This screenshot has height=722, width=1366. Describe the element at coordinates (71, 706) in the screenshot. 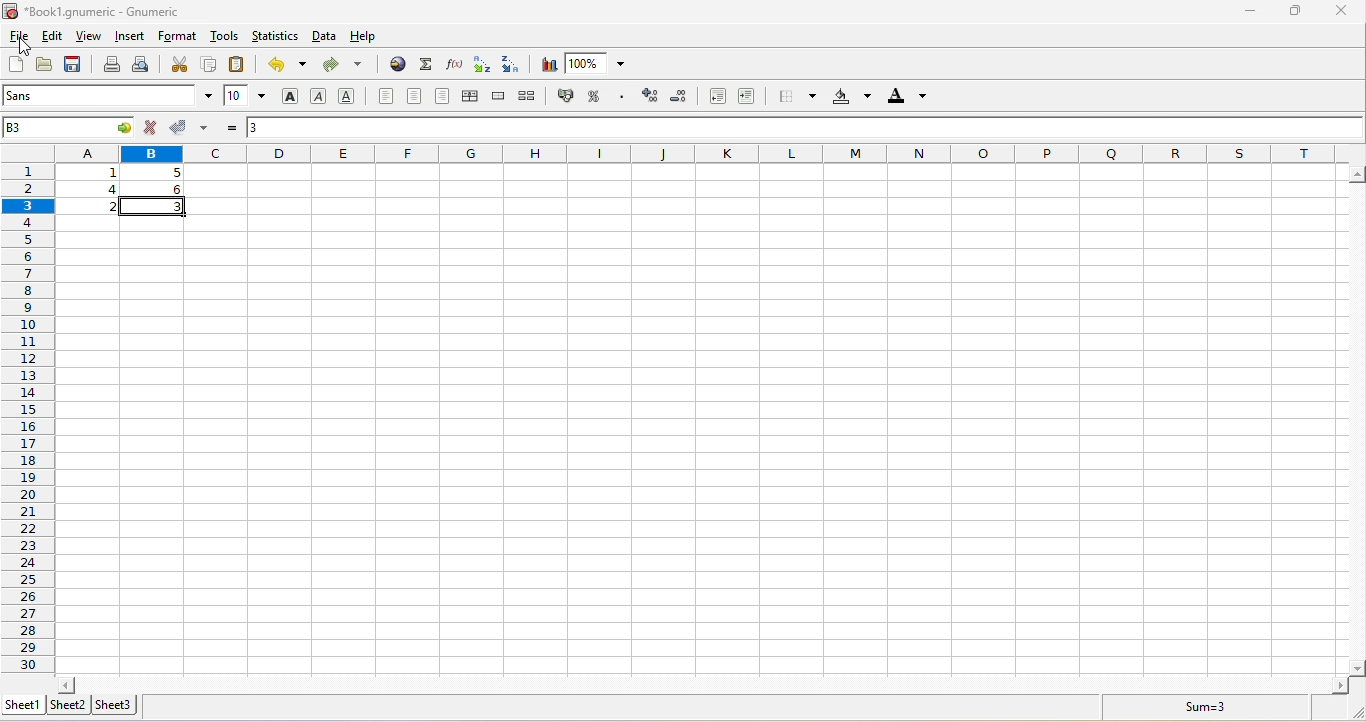

I see `sheet 2` at that location.